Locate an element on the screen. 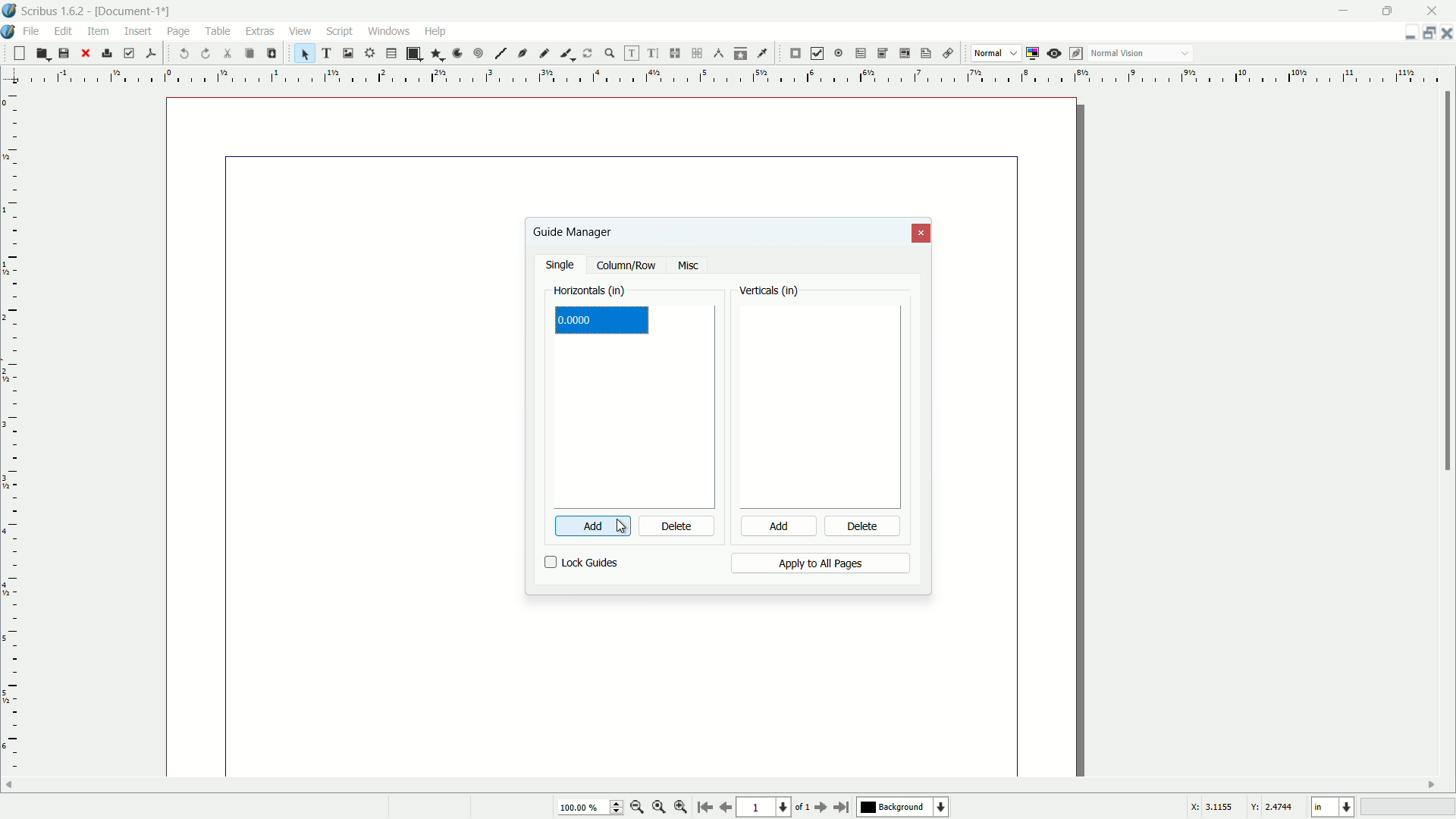 The width and height of the screenshot is (1456, 819). render frame is located at coordinates (368, 53).